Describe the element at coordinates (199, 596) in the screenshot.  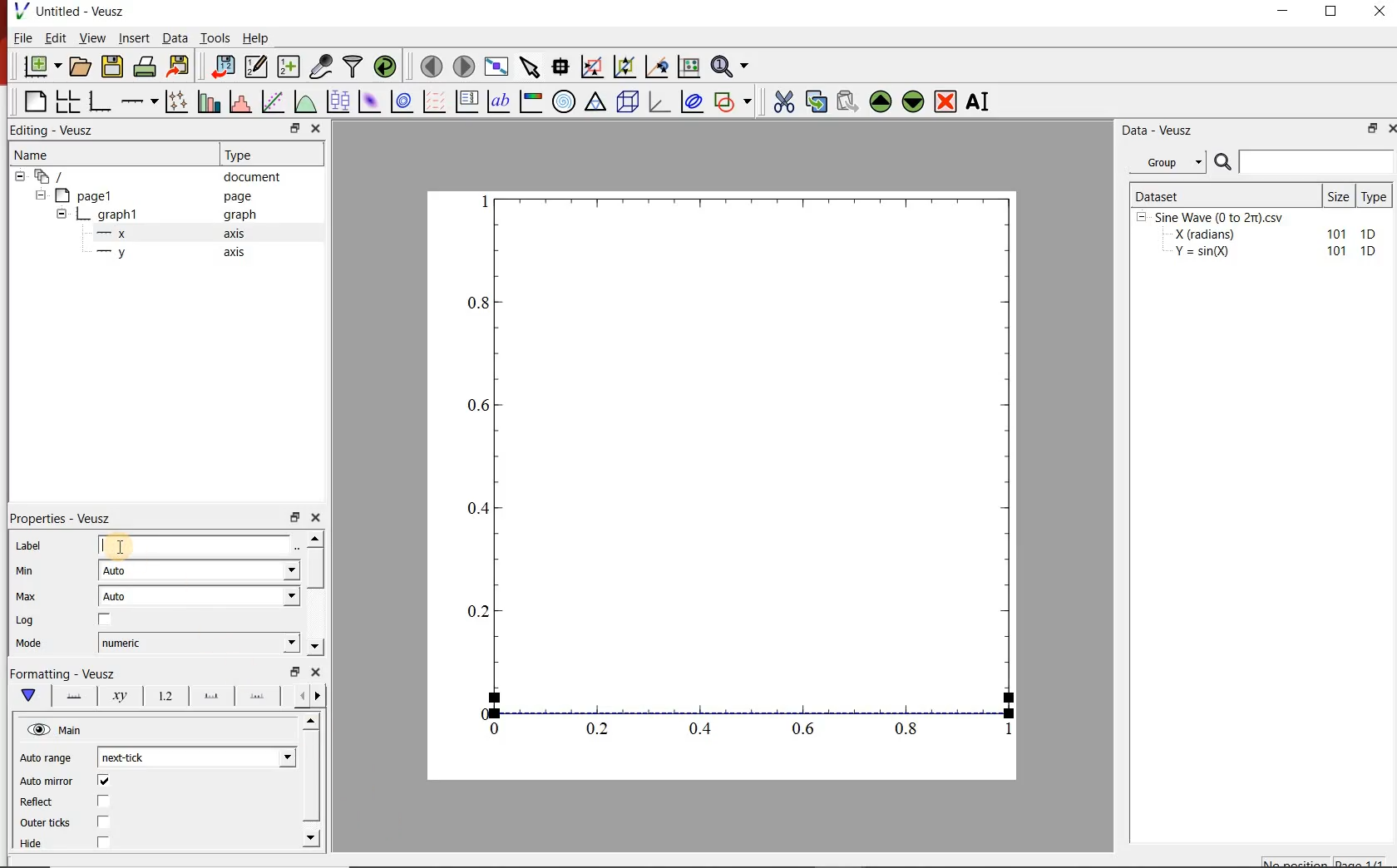
I see `Auto` at that location.